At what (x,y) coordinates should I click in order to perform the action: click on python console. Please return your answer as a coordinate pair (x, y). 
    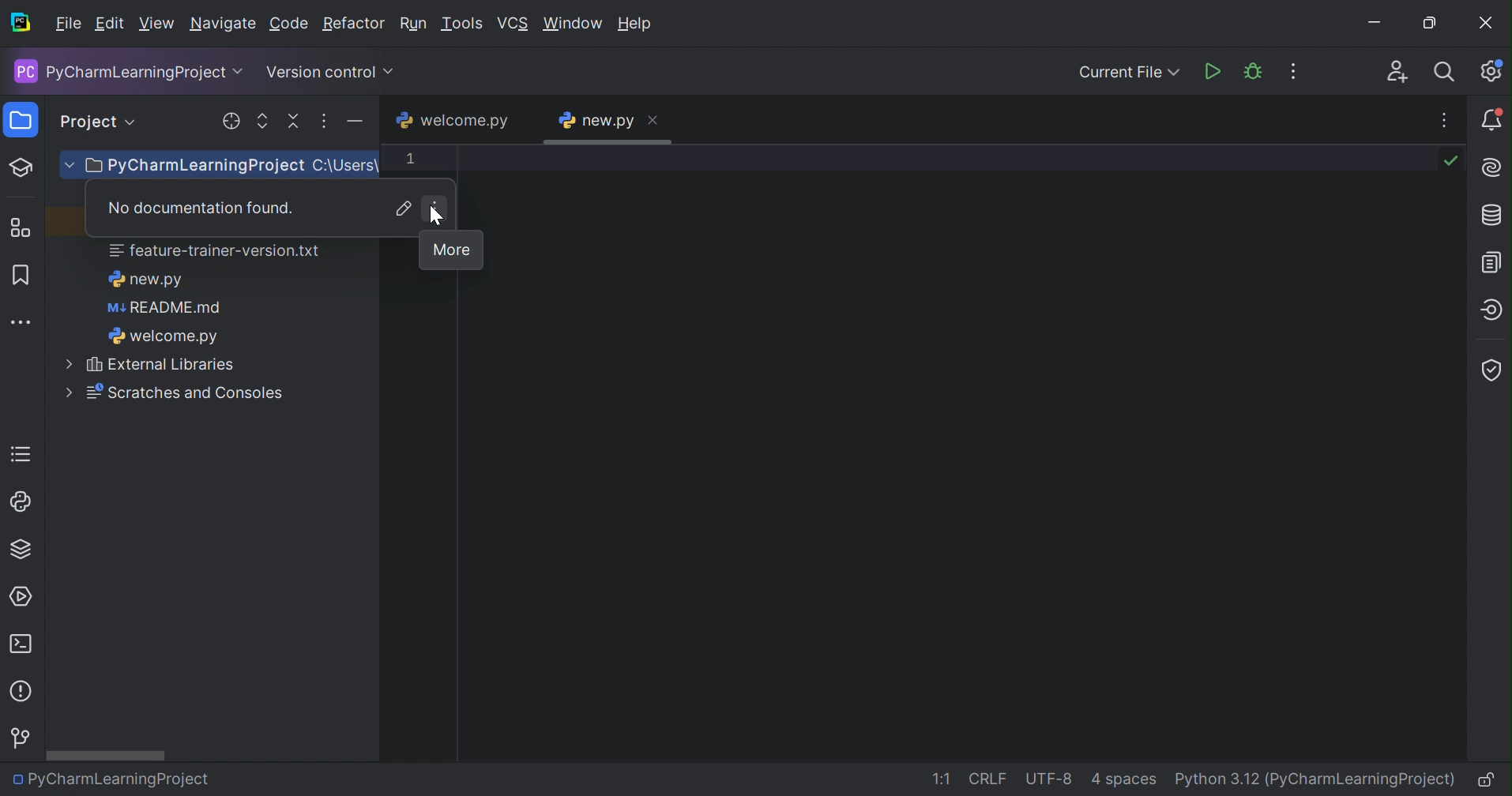
    Looking at the image, I should click on (21, 502).